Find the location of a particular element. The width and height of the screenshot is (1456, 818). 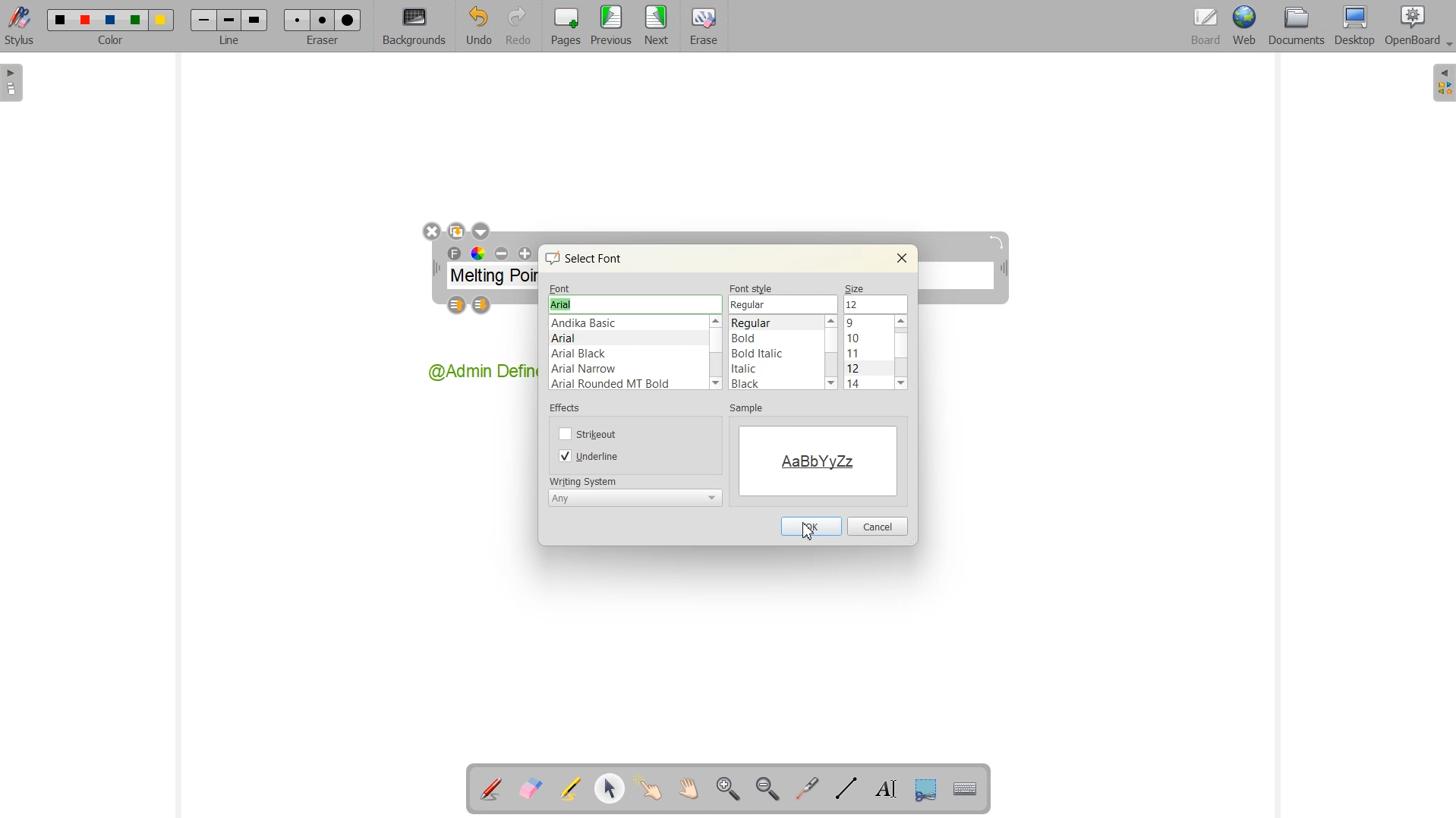

Dropdown box is located at coordinates (1447, 46).